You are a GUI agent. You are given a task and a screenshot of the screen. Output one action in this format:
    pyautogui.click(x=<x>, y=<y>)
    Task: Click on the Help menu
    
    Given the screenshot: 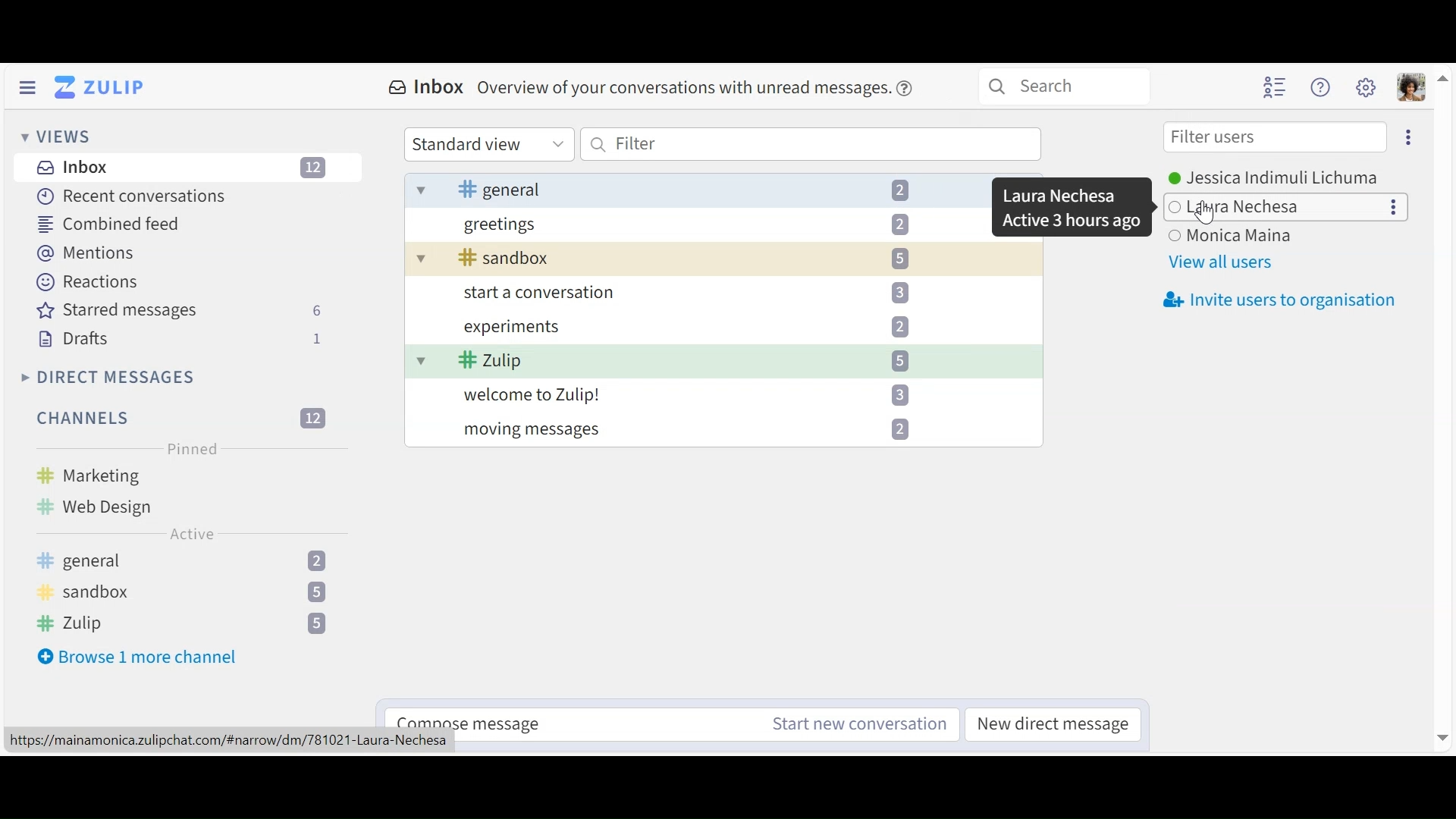 What is the action you would take?
    pyautogui.click(x=1320, y=88)
    